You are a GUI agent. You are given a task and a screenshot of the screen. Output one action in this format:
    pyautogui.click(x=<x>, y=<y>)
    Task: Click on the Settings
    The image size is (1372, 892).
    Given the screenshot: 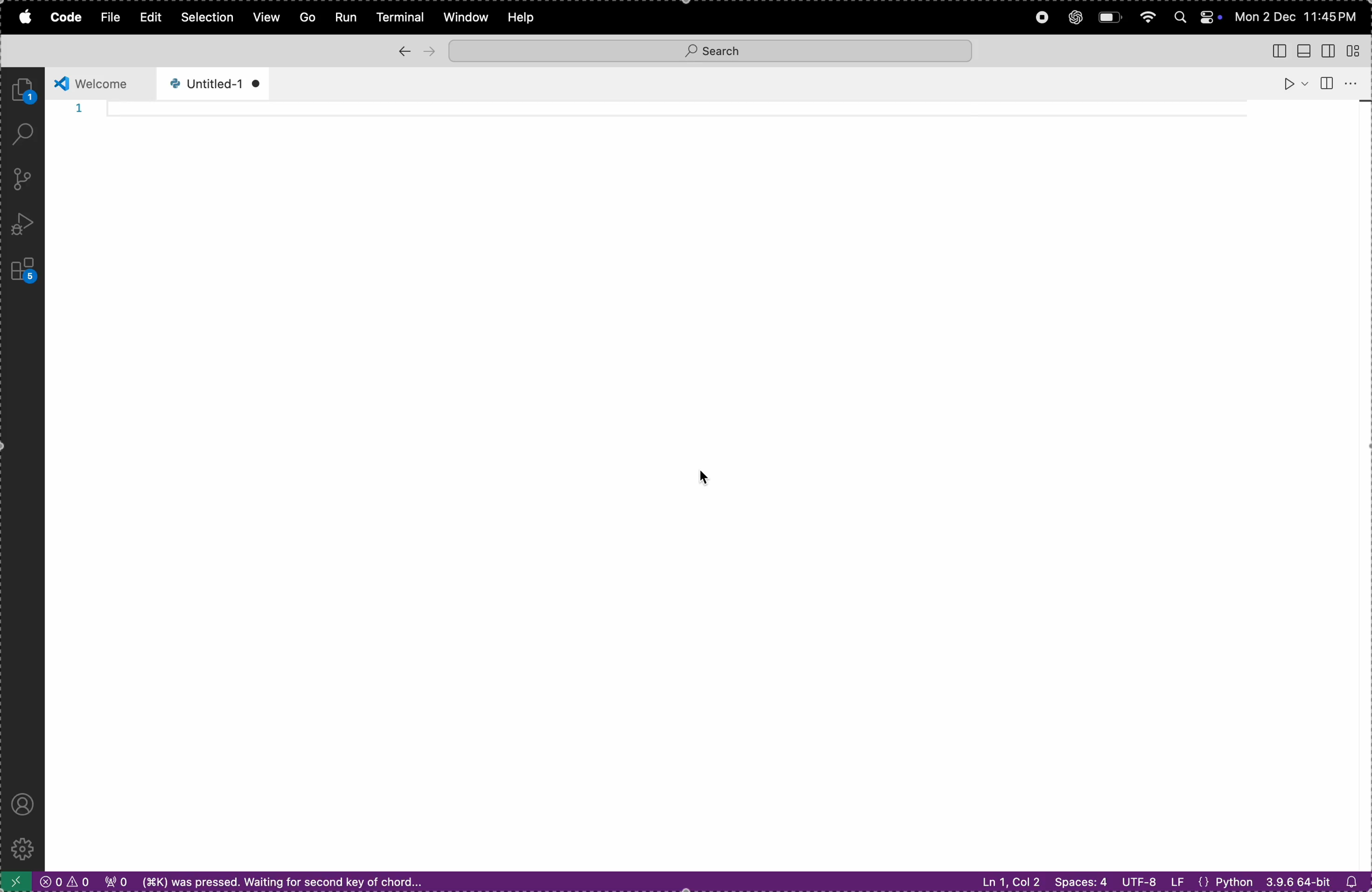 What is the action you would take?
    pyautogui.click(x=21, y=849)
    